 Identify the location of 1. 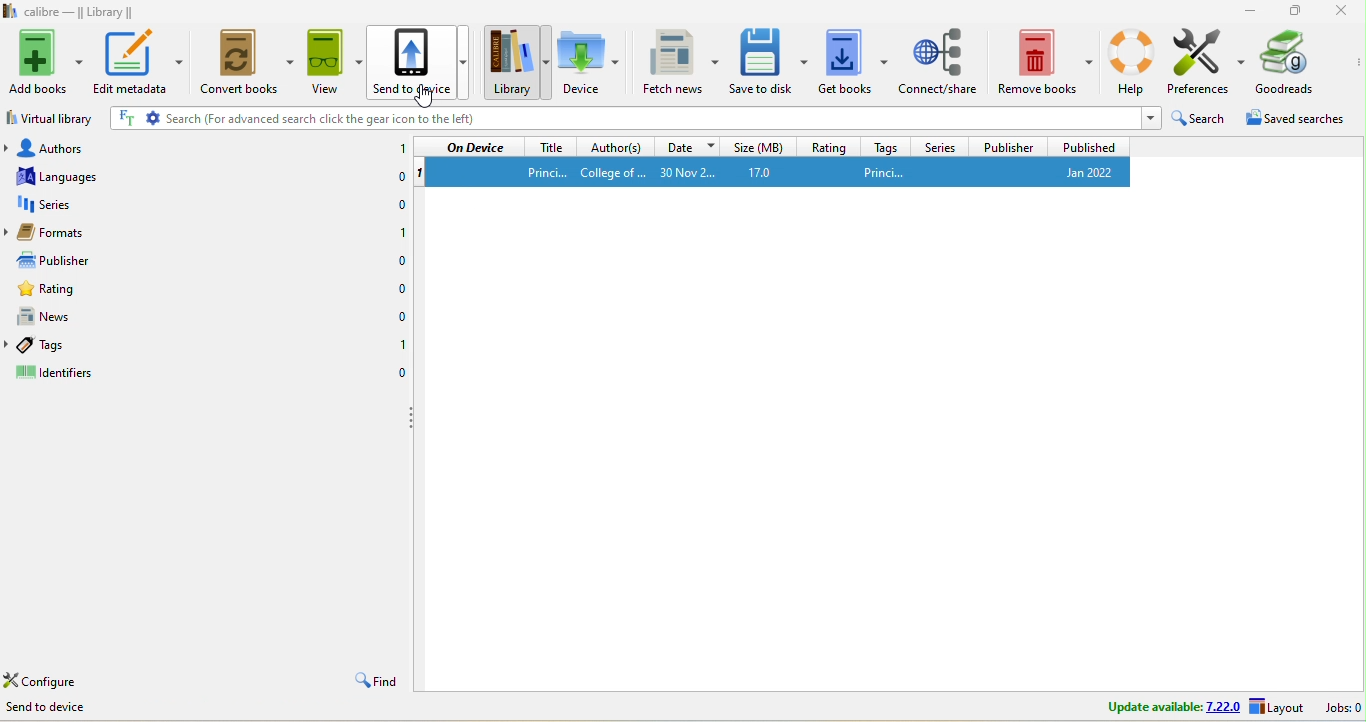
(423, 173).